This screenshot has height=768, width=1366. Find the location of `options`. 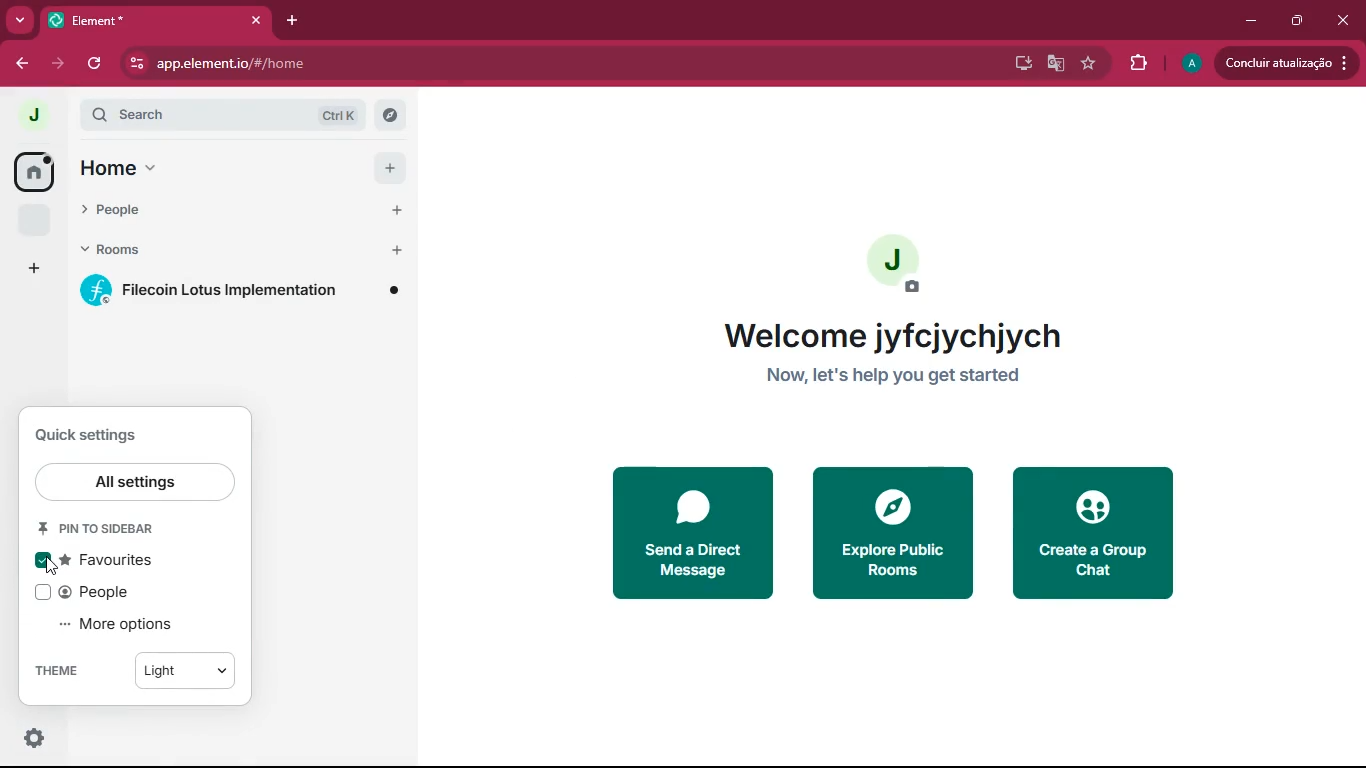

options is located at coordinates (28, 738).